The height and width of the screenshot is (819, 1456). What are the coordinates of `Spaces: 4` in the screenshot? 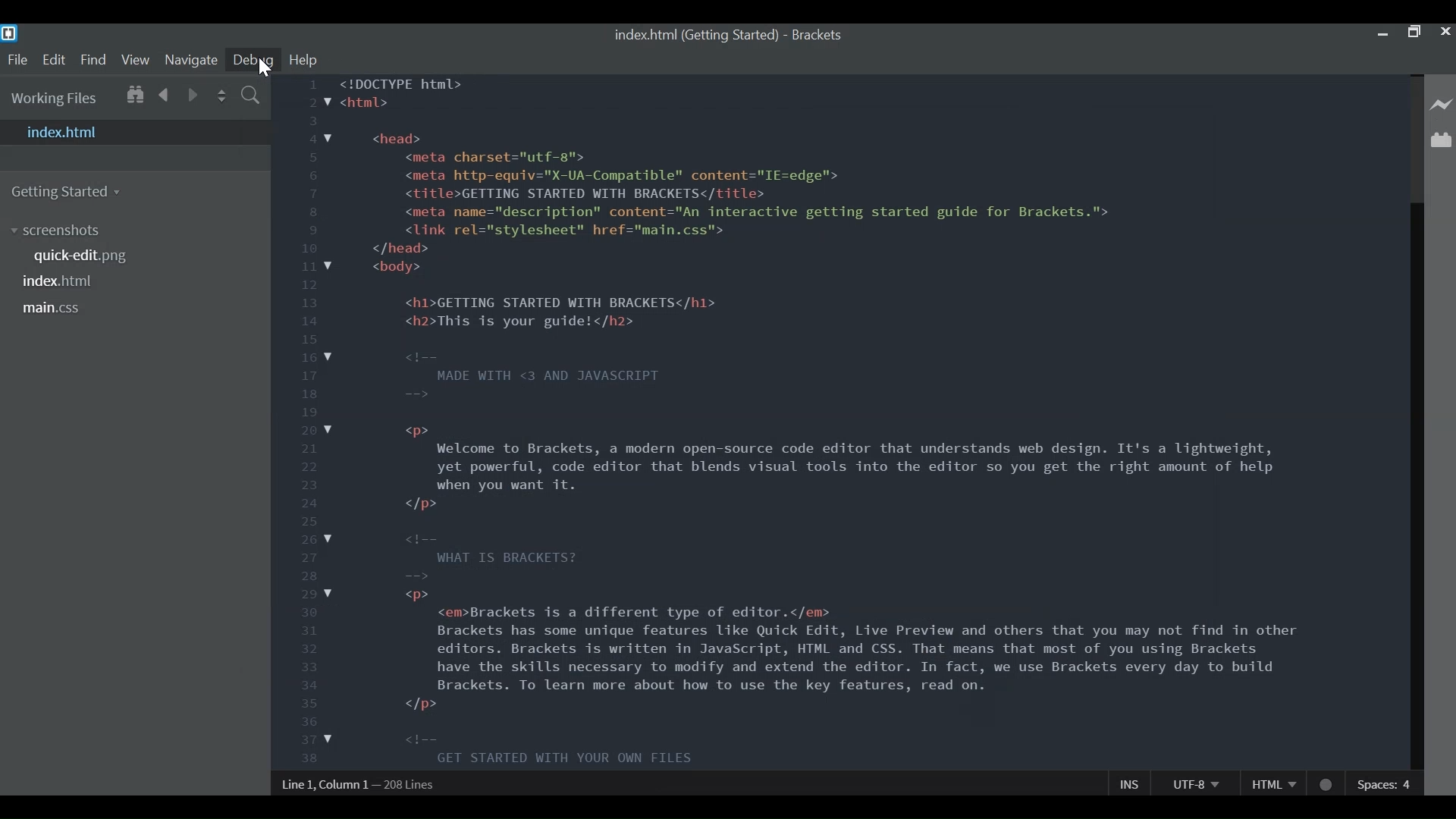 It's located at (1385, 783).